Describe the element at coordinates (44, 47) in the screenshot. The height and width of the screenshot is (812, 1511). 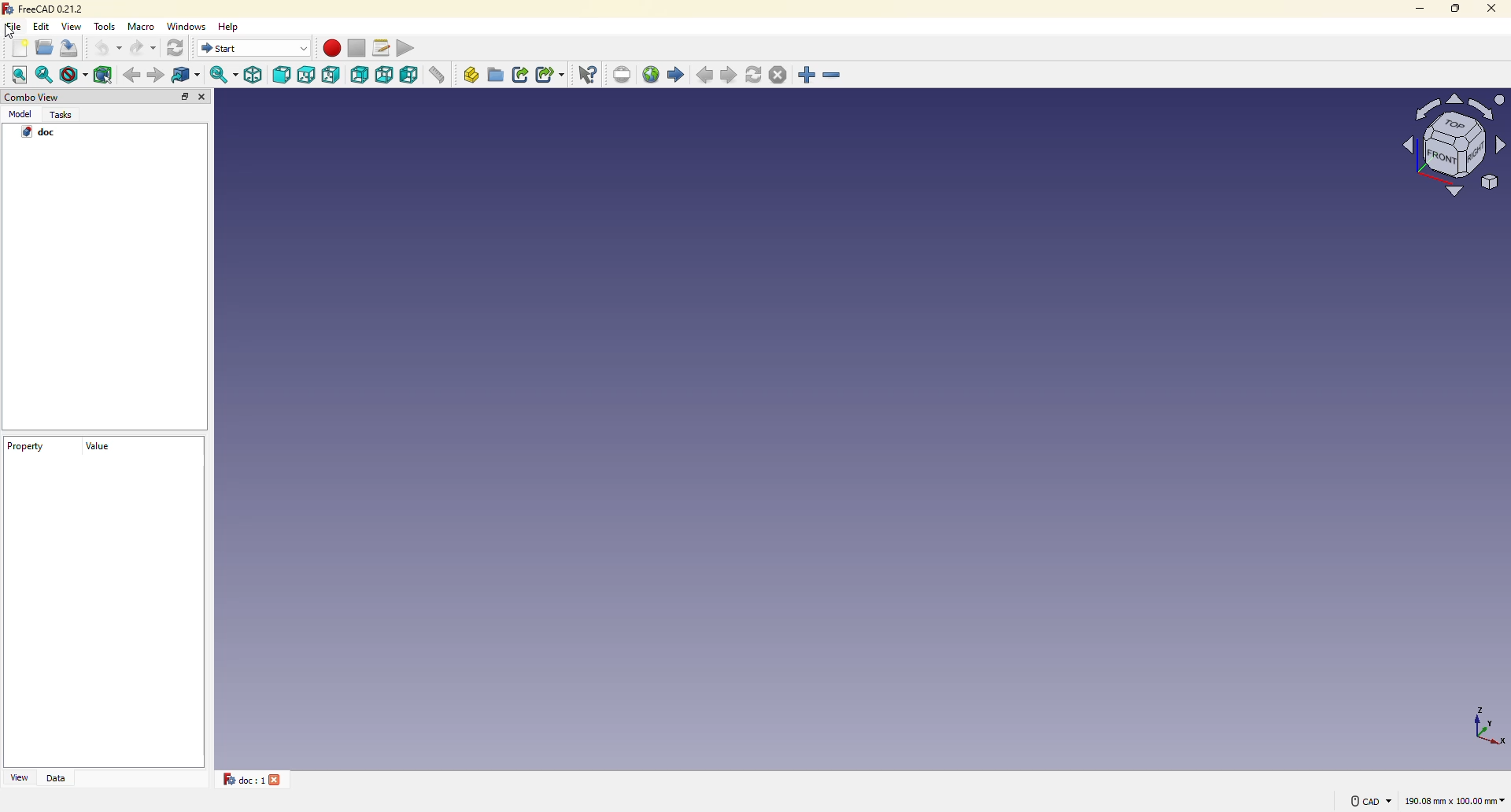
I see `open` at that location.